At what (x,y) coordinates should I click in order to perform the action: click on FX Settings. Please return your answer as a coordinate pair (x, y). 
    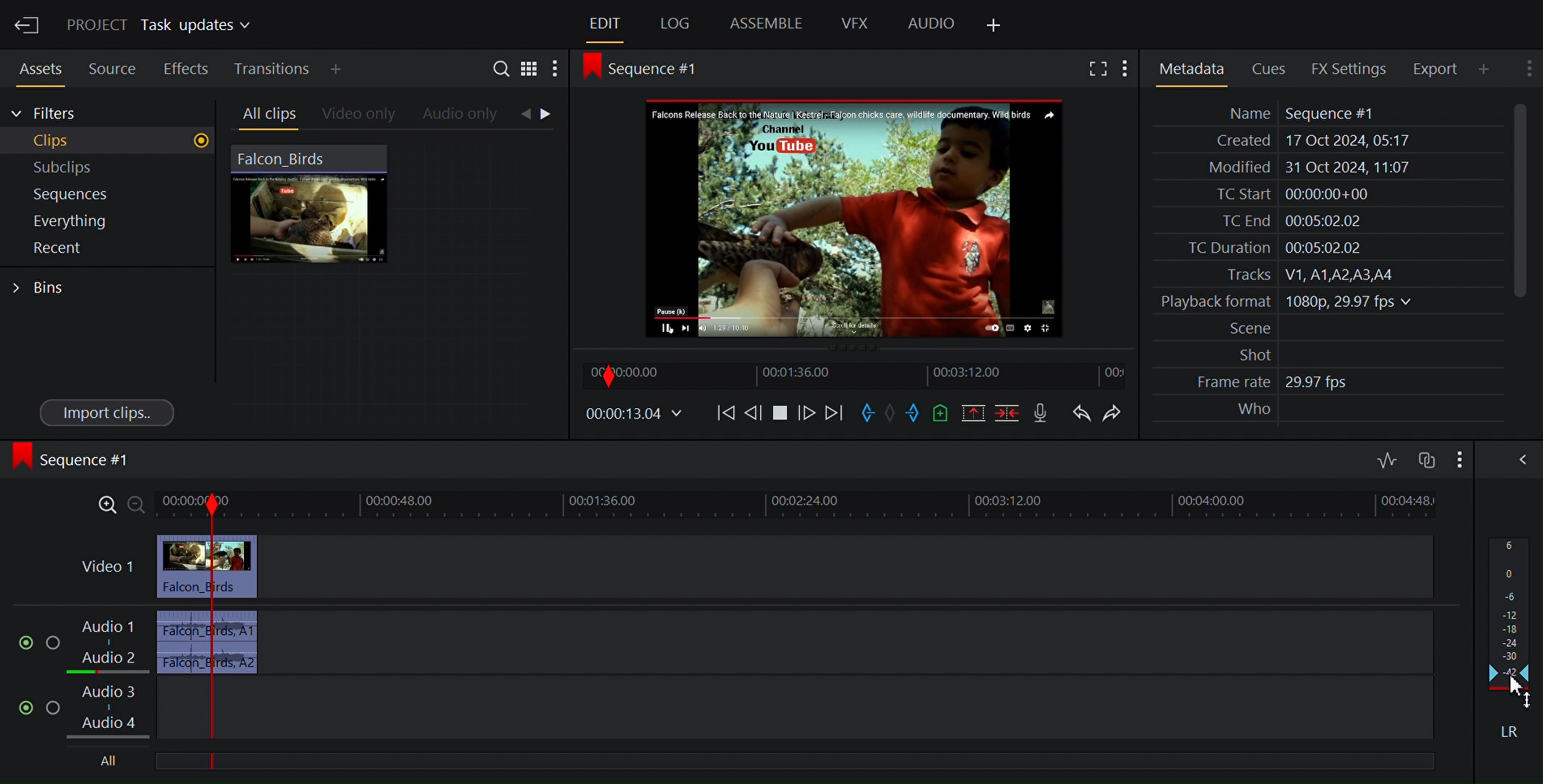
    Looking at the image, I should click on (1347, 68).